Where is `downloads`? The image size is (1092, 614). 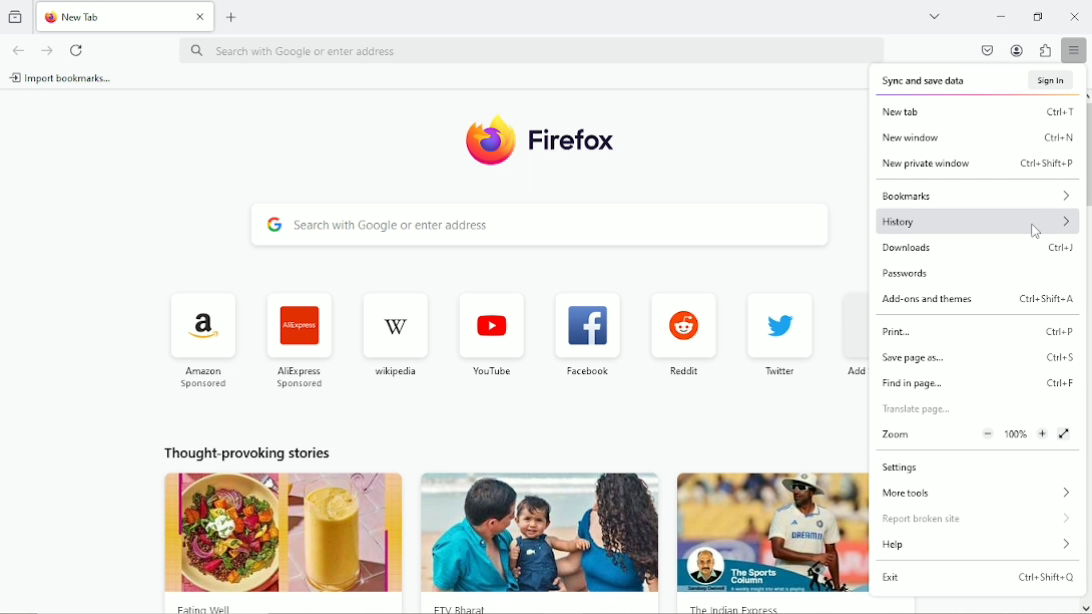
downloads is located at coordinates (978, 248).